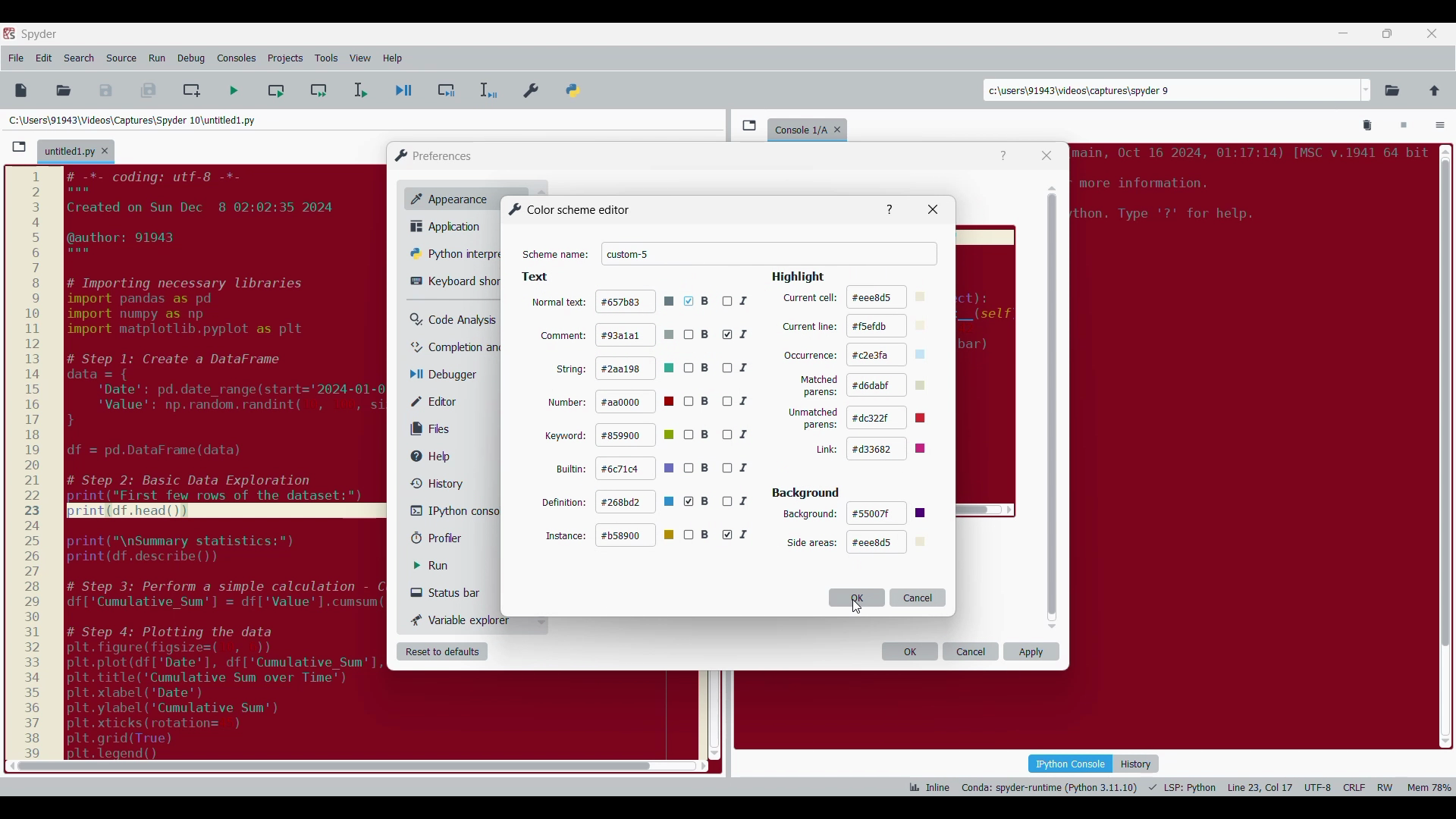  Describe the element at coordinates (1070, 763) in the screenshot. I see `IPython console` at that location.